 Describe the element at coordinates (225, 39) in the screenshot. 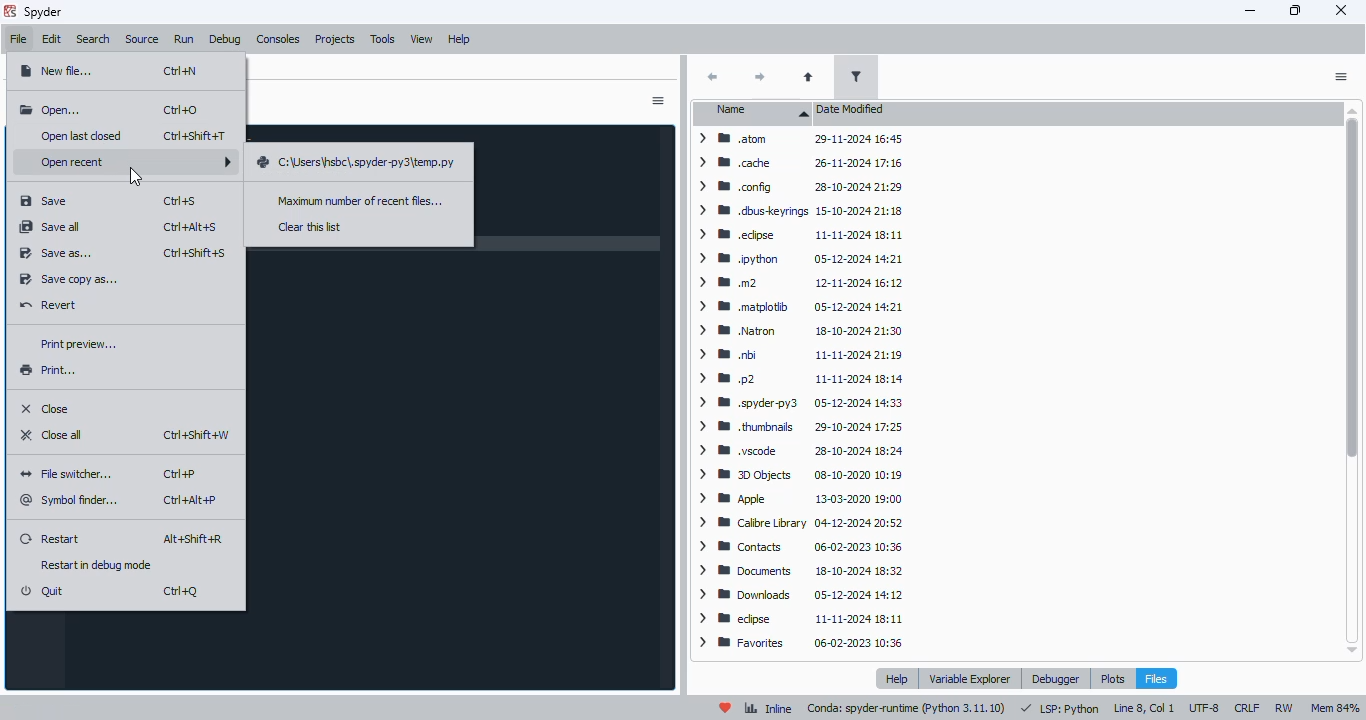

I see `debug` at that location.